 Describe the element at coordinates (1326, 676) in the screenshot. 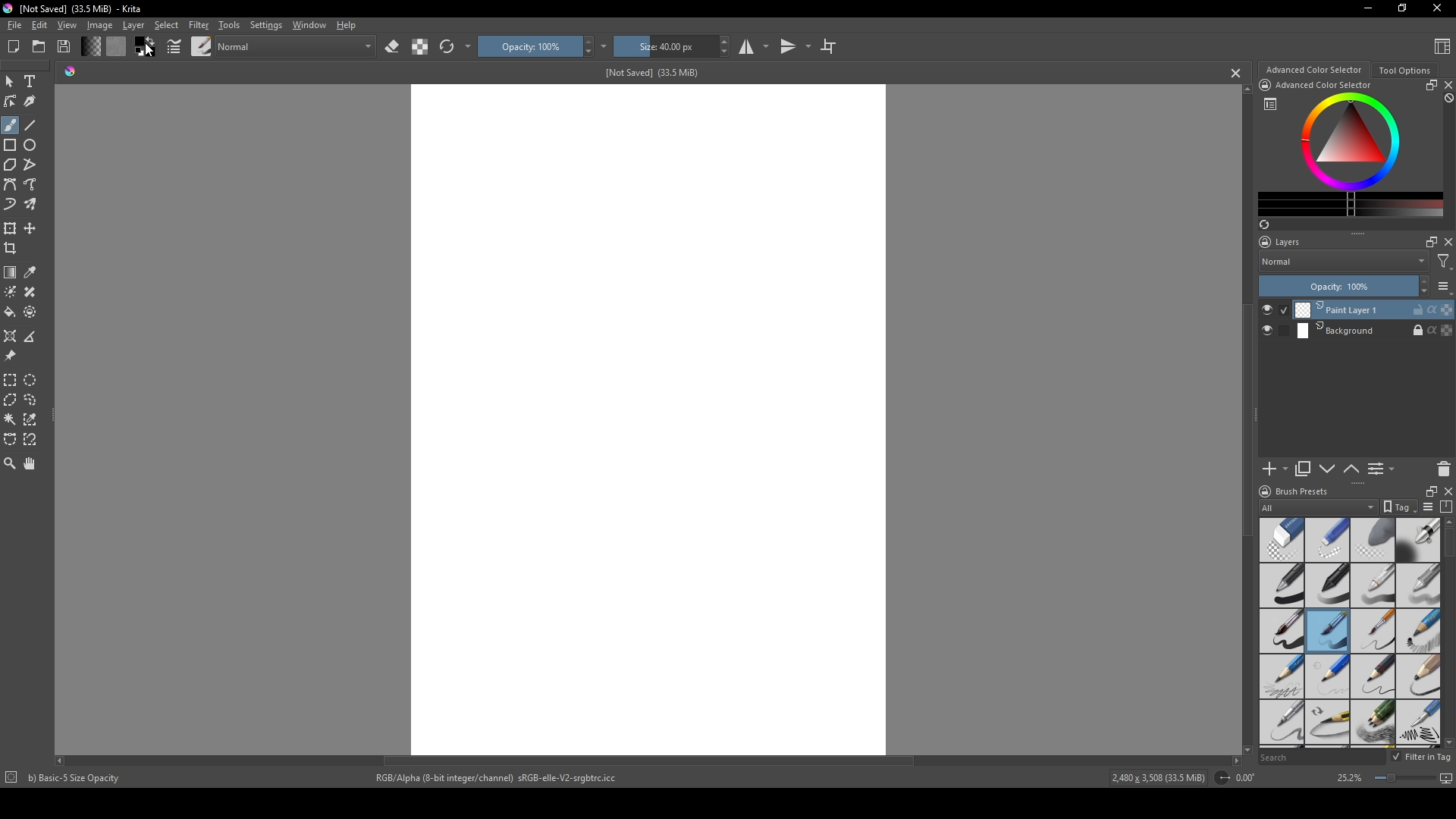

I see `pencil` at that location.